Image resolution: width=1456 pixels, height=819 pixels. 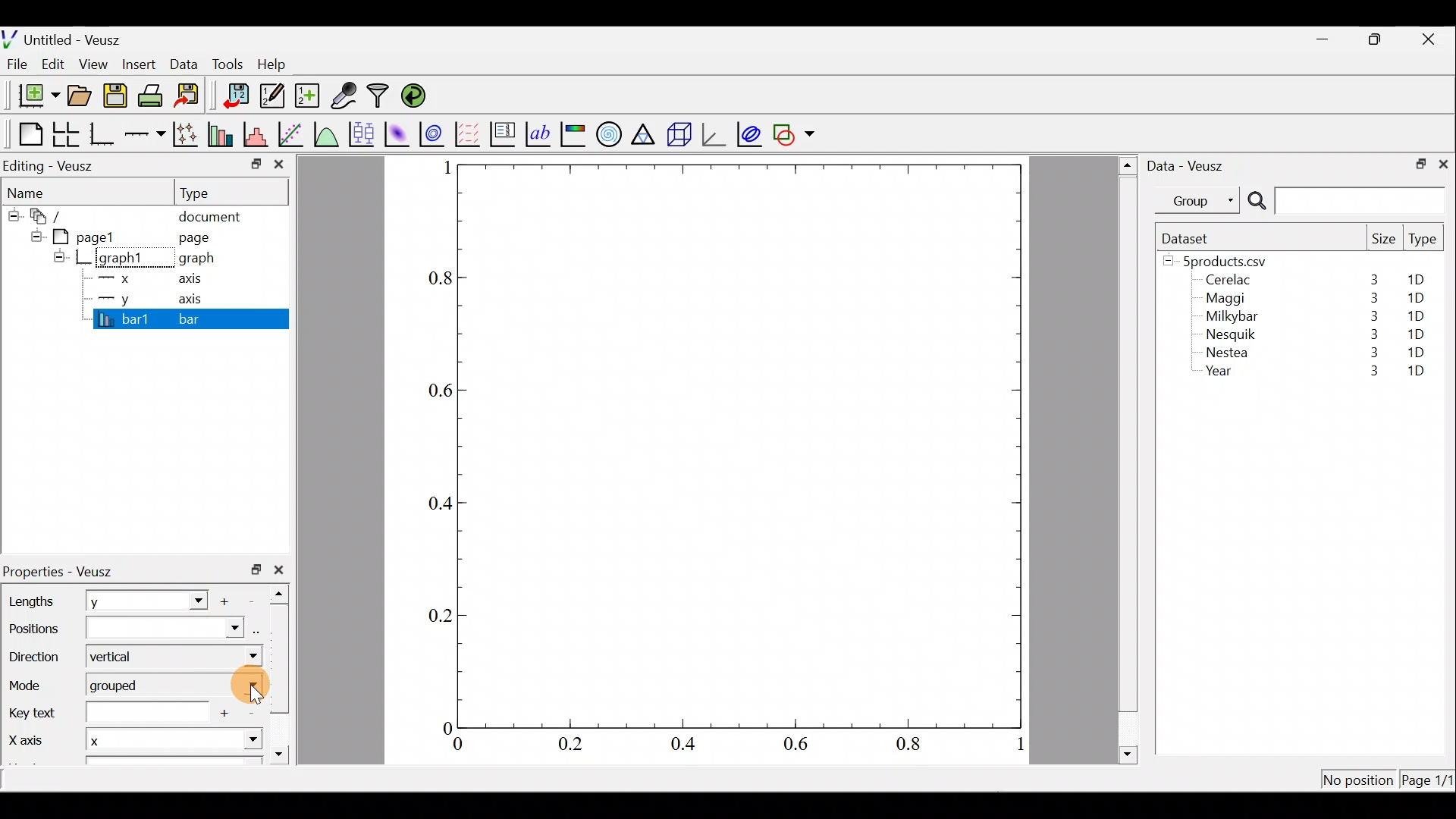 What do you see at coordinates (1128, 457) in the screenshot?
I see `scroll bar` at bounding box center [1128, 457].